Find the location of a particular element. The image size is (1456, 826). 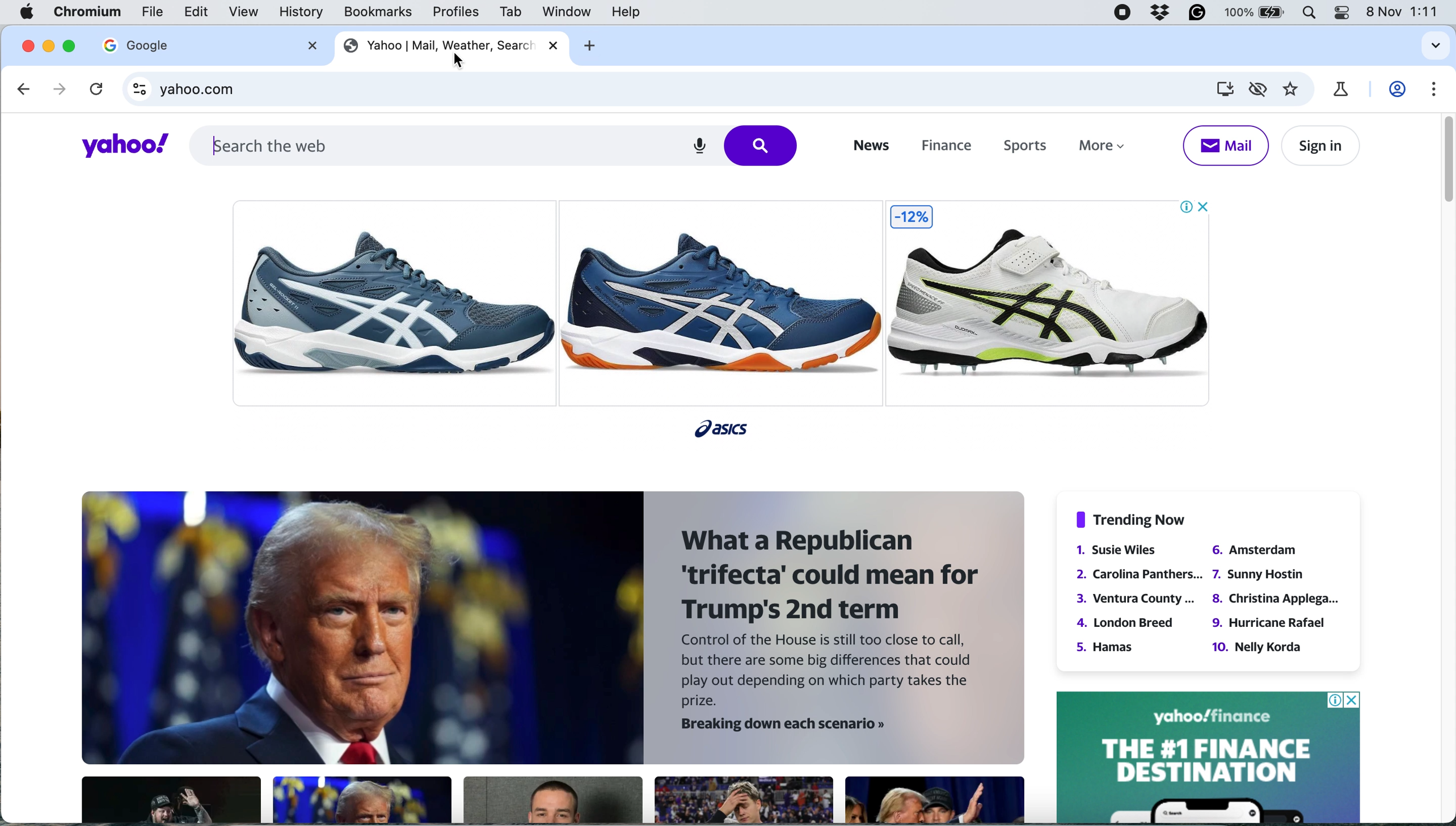

mail is located at coordinates (1225, 145).